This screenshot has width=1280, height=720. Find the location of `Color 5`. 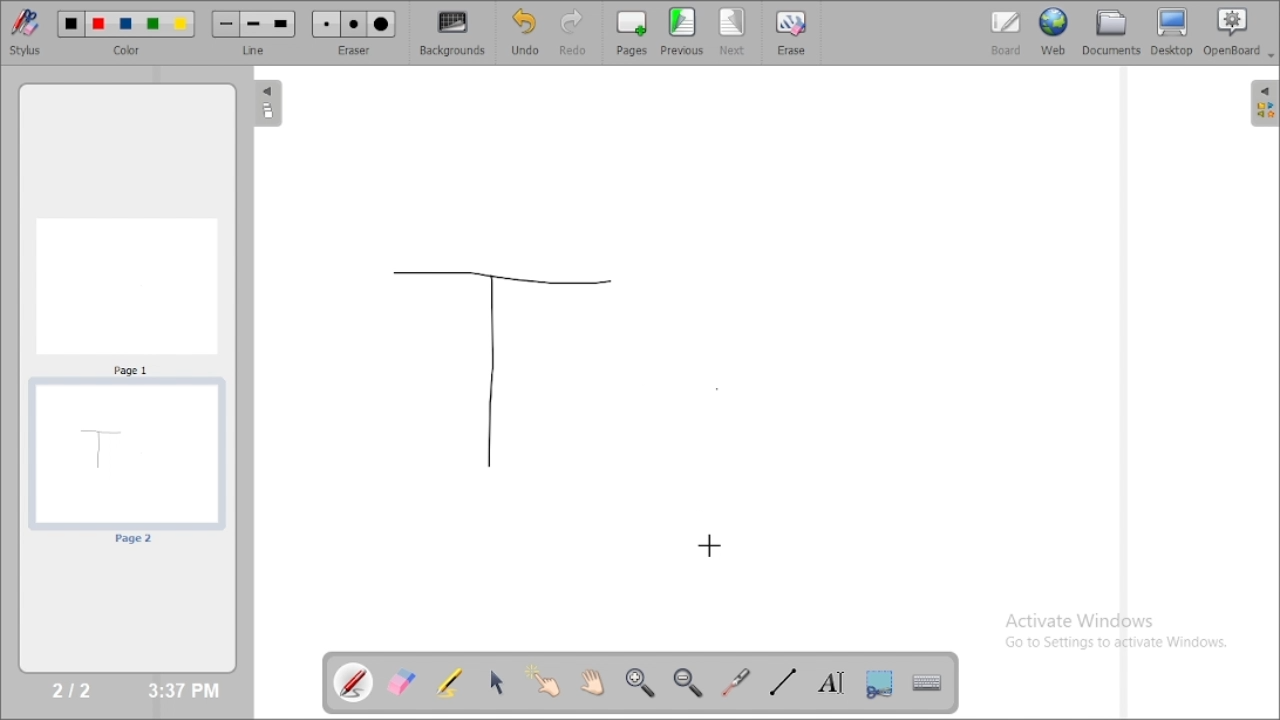

Color 5 is located at coordinates (181, 24).